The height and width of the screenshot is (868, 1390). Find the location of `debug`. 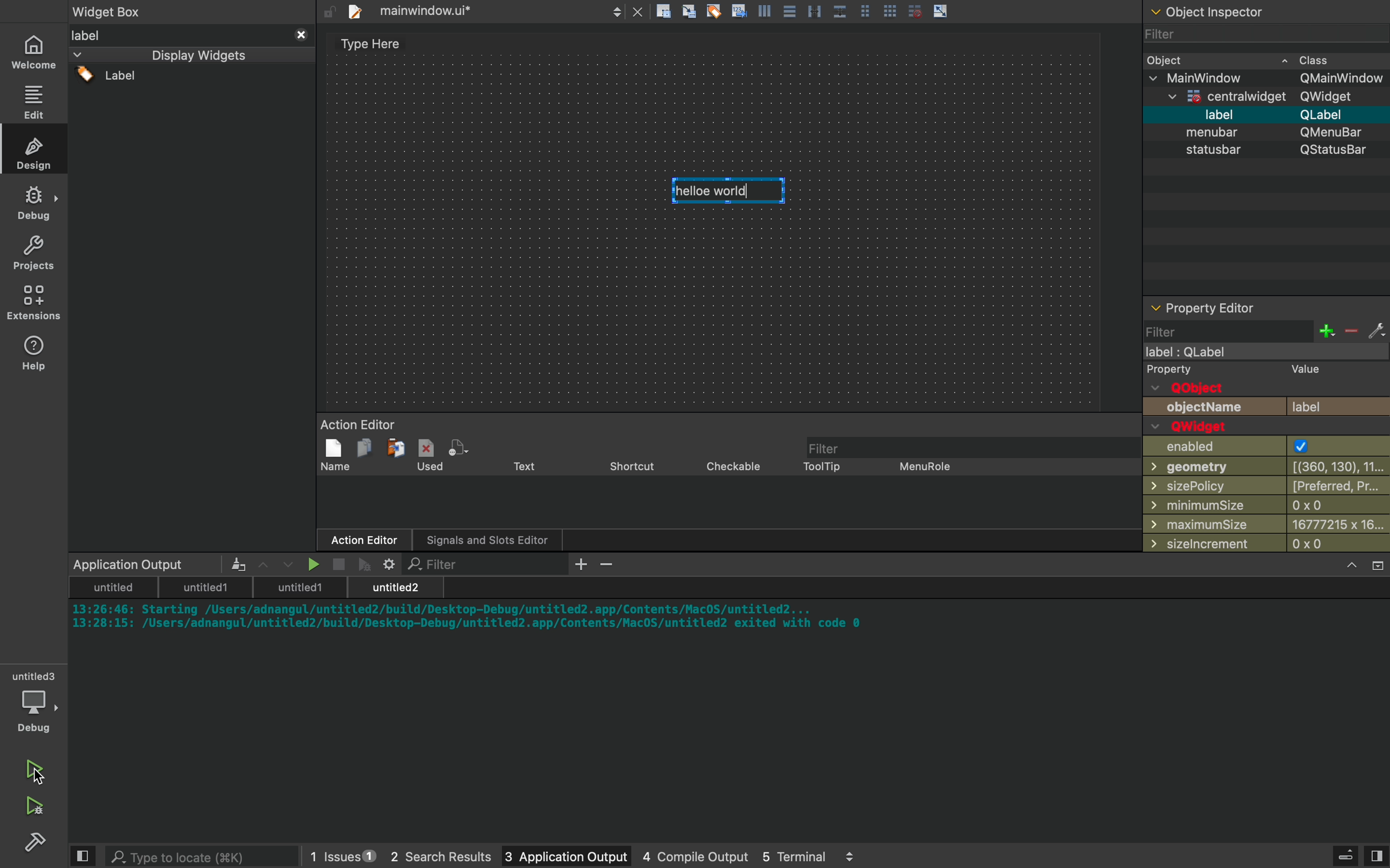

debug is located at coordinates (37, 704).